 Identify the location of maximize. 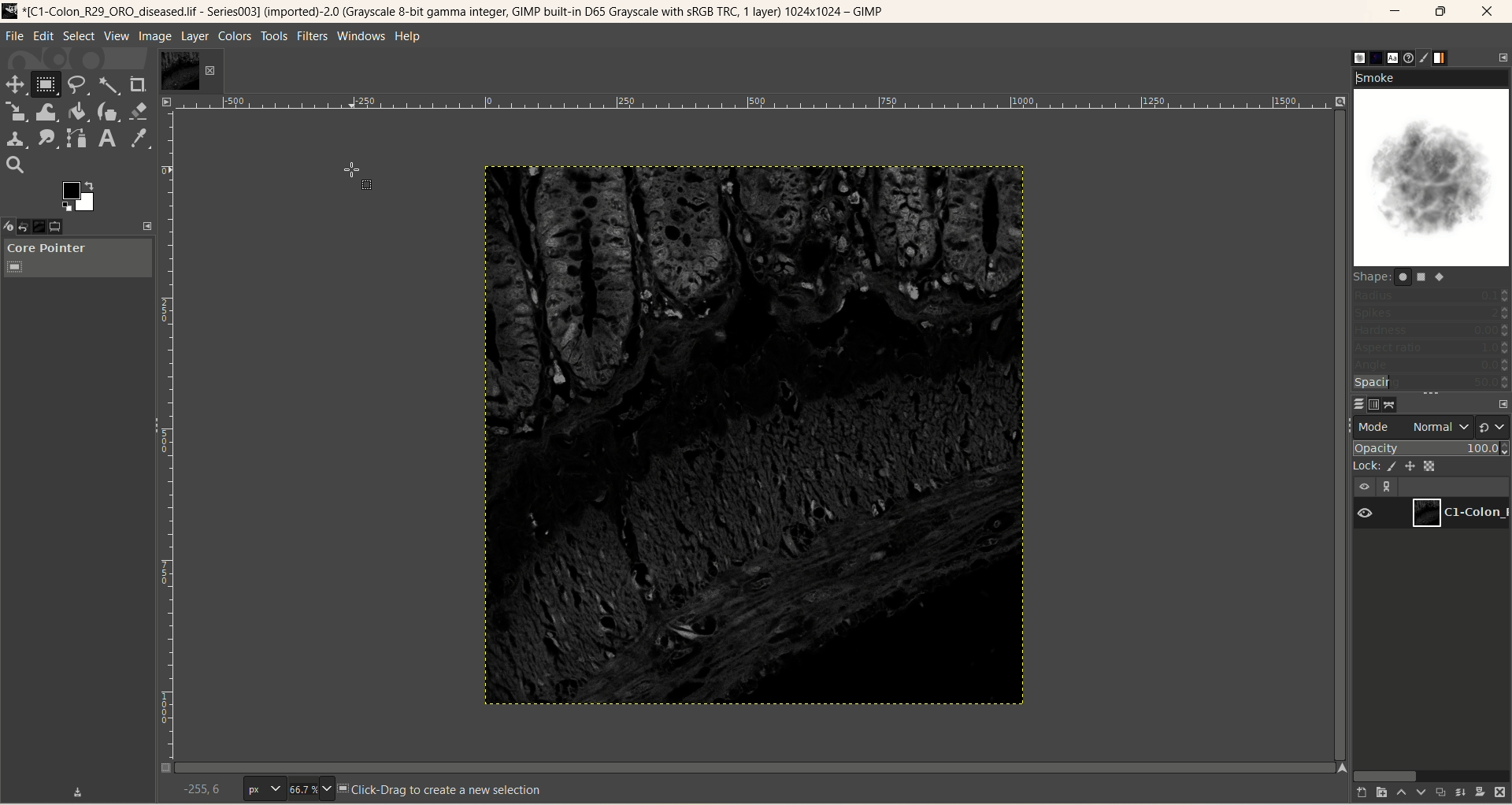
(1440, 12).